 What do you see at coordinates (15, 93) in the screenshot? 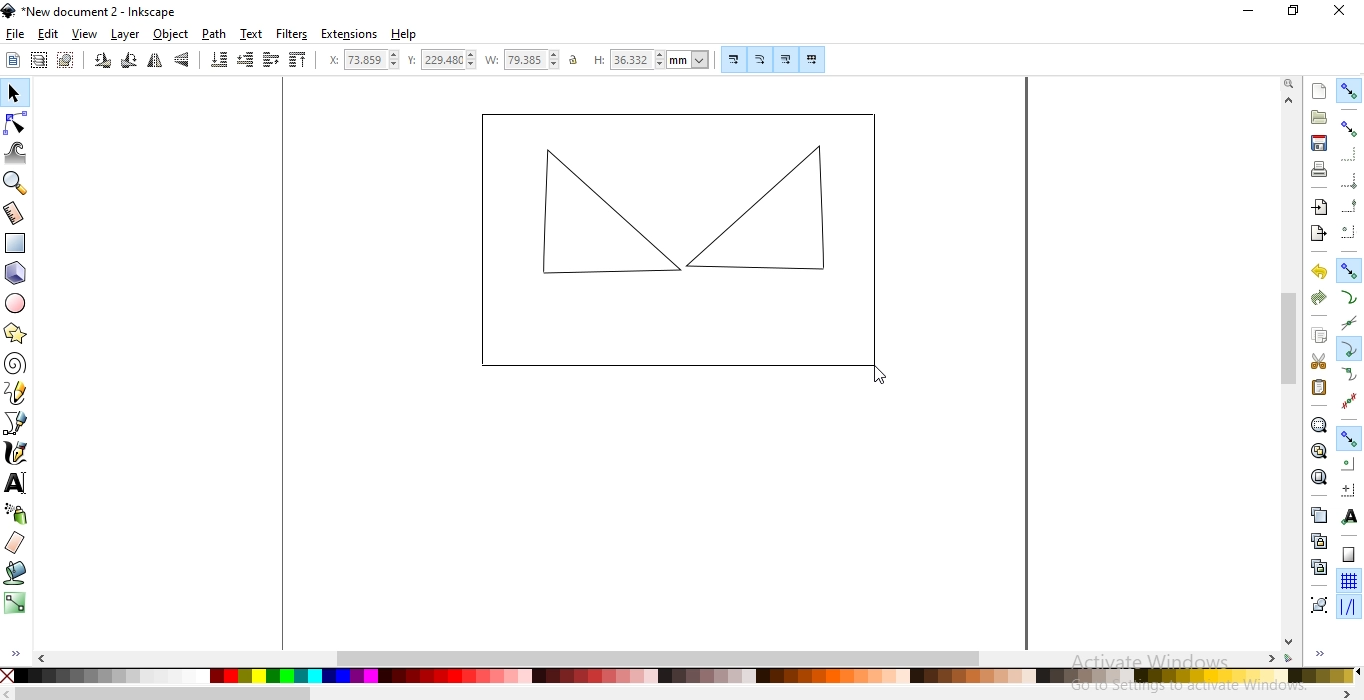
I see `select and transform objects` at bounding box center [15, 93].